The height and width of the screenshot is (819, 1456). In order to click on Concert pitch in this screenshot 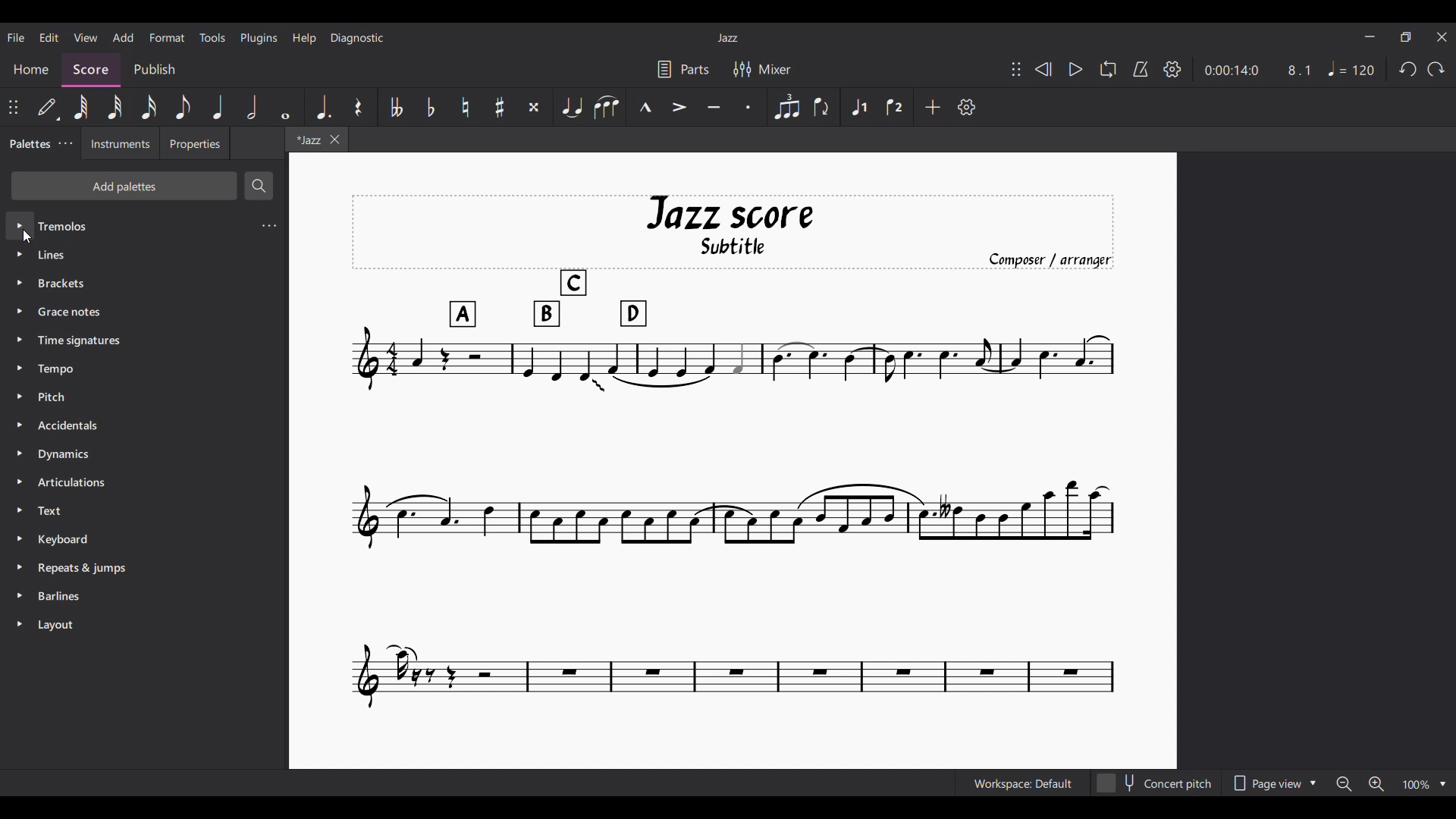, I will do `click(1154, 783)`.